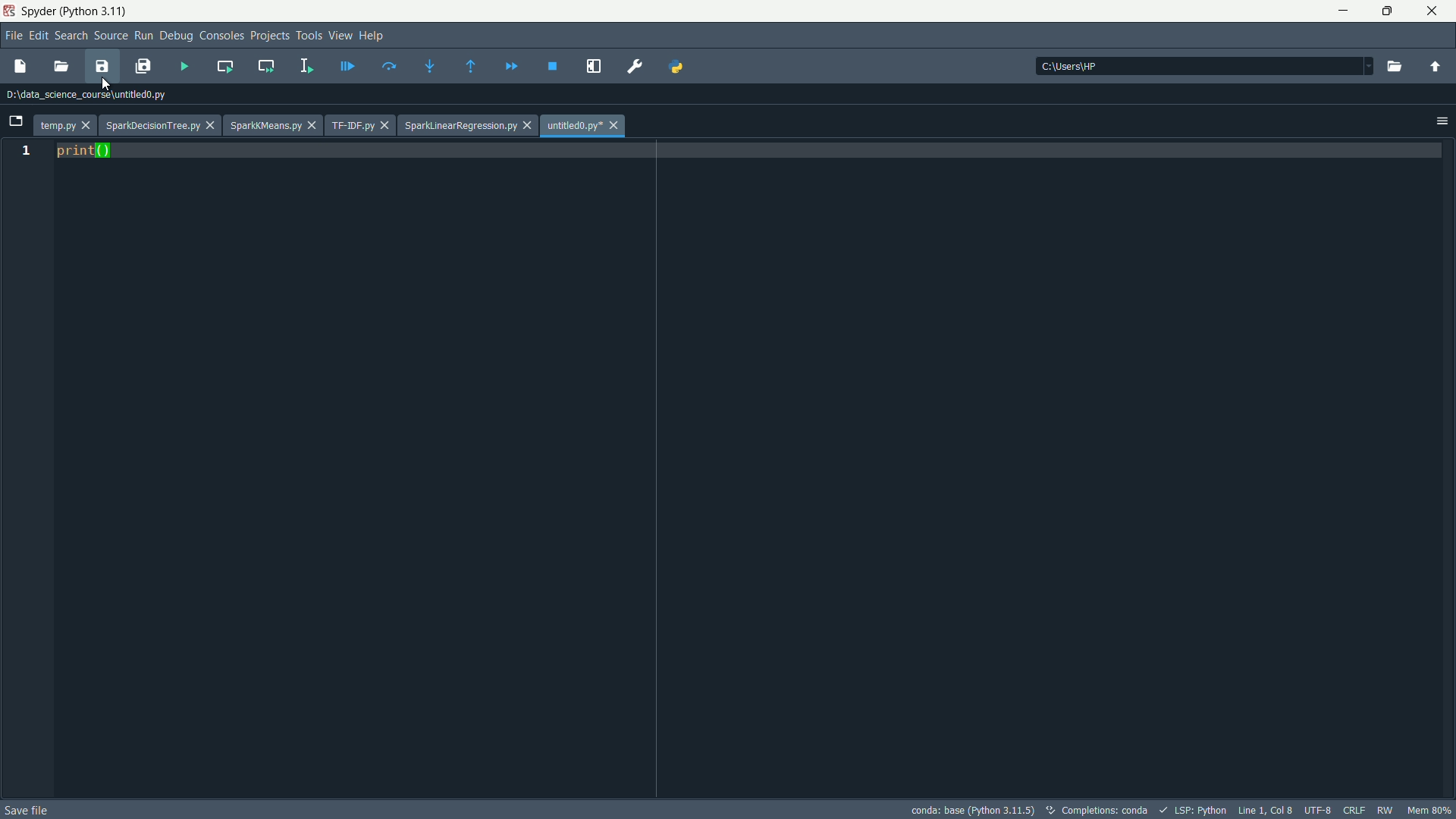 The height and width of the screenshot is (819, 1456). I want to click on save all files, so click(143, 67).